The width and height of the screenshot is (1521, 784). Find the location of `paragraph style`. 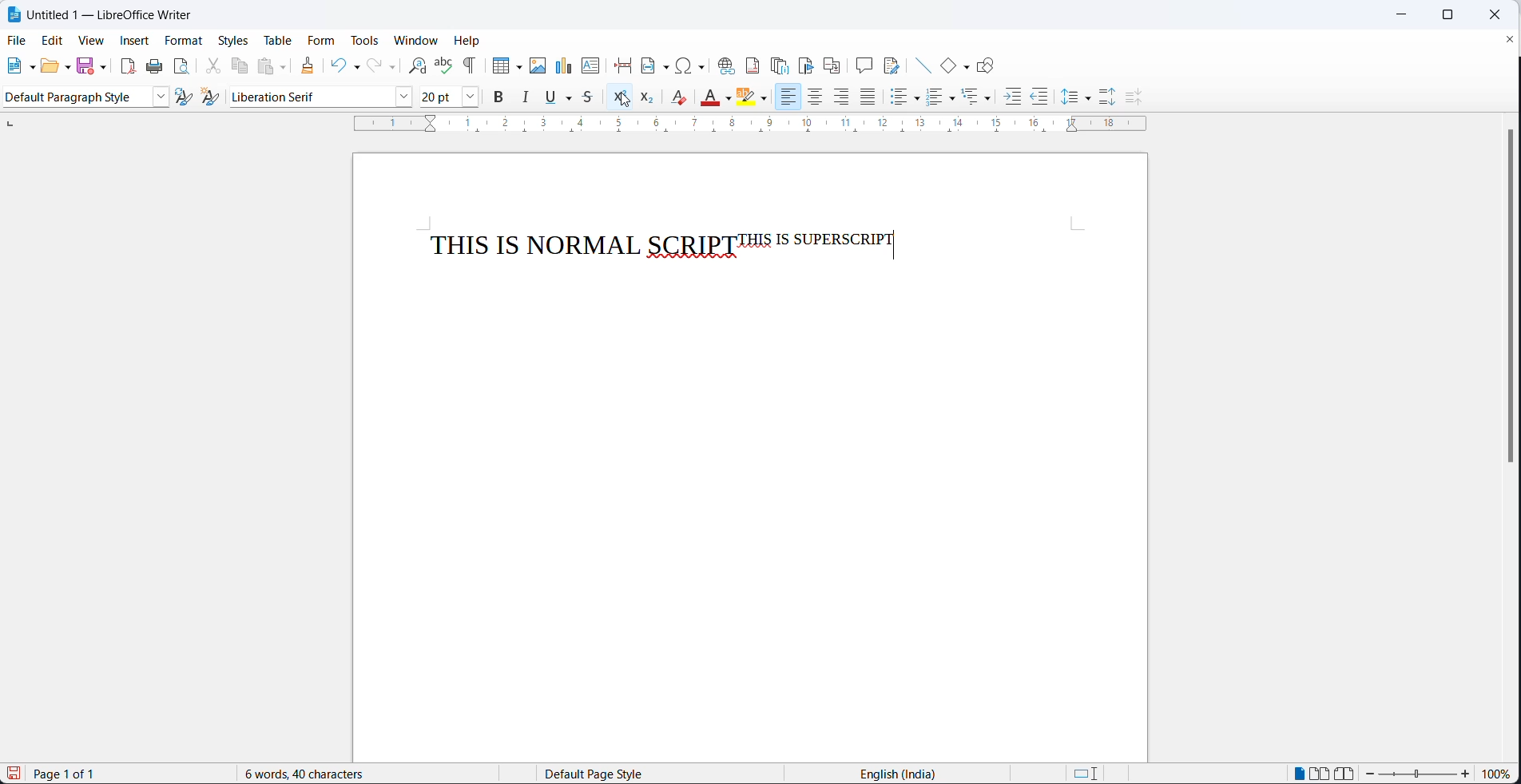

paragraph style is located at coordinates (74, 97).